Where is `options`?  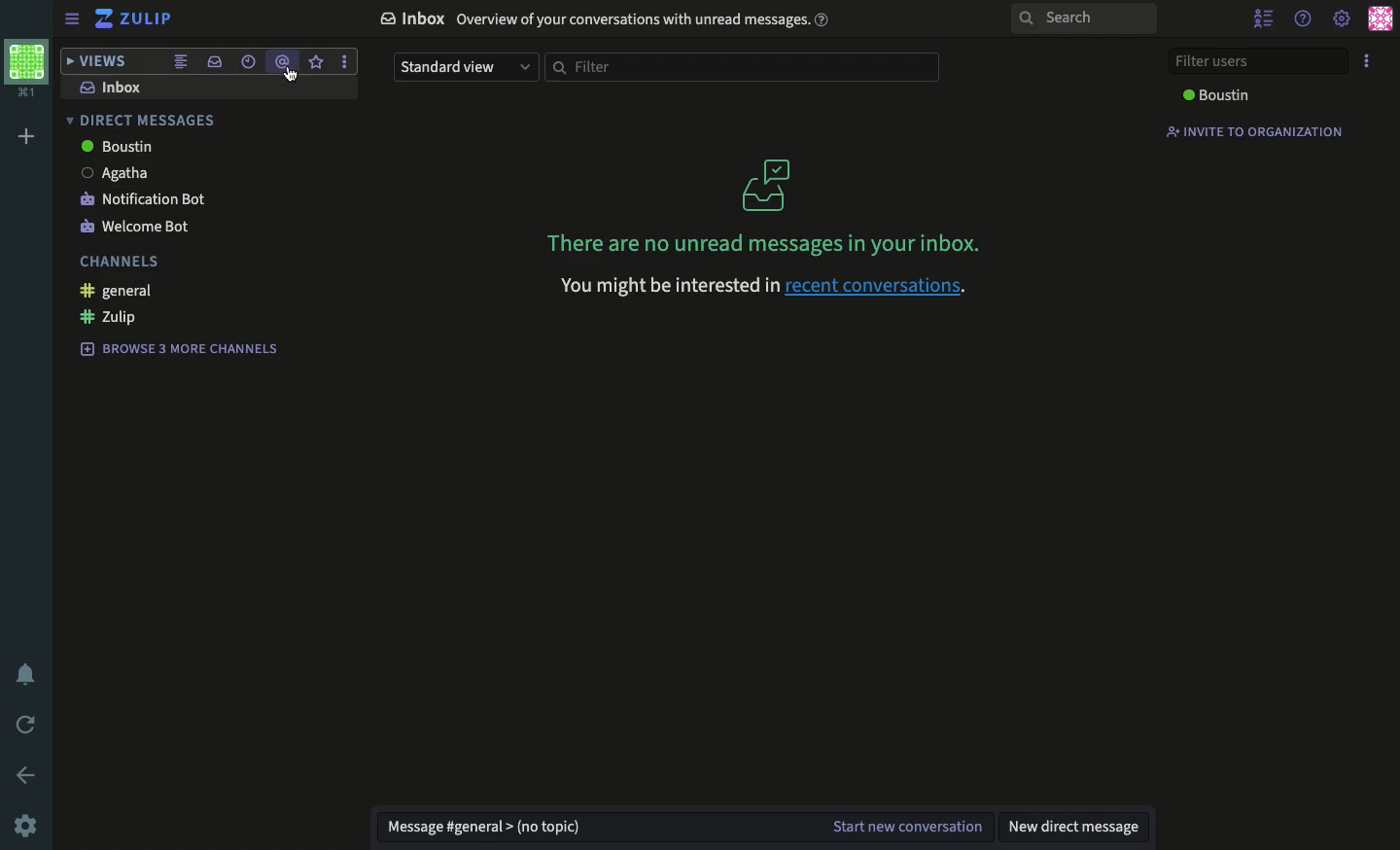
options is located at coordinates (1367, 61).